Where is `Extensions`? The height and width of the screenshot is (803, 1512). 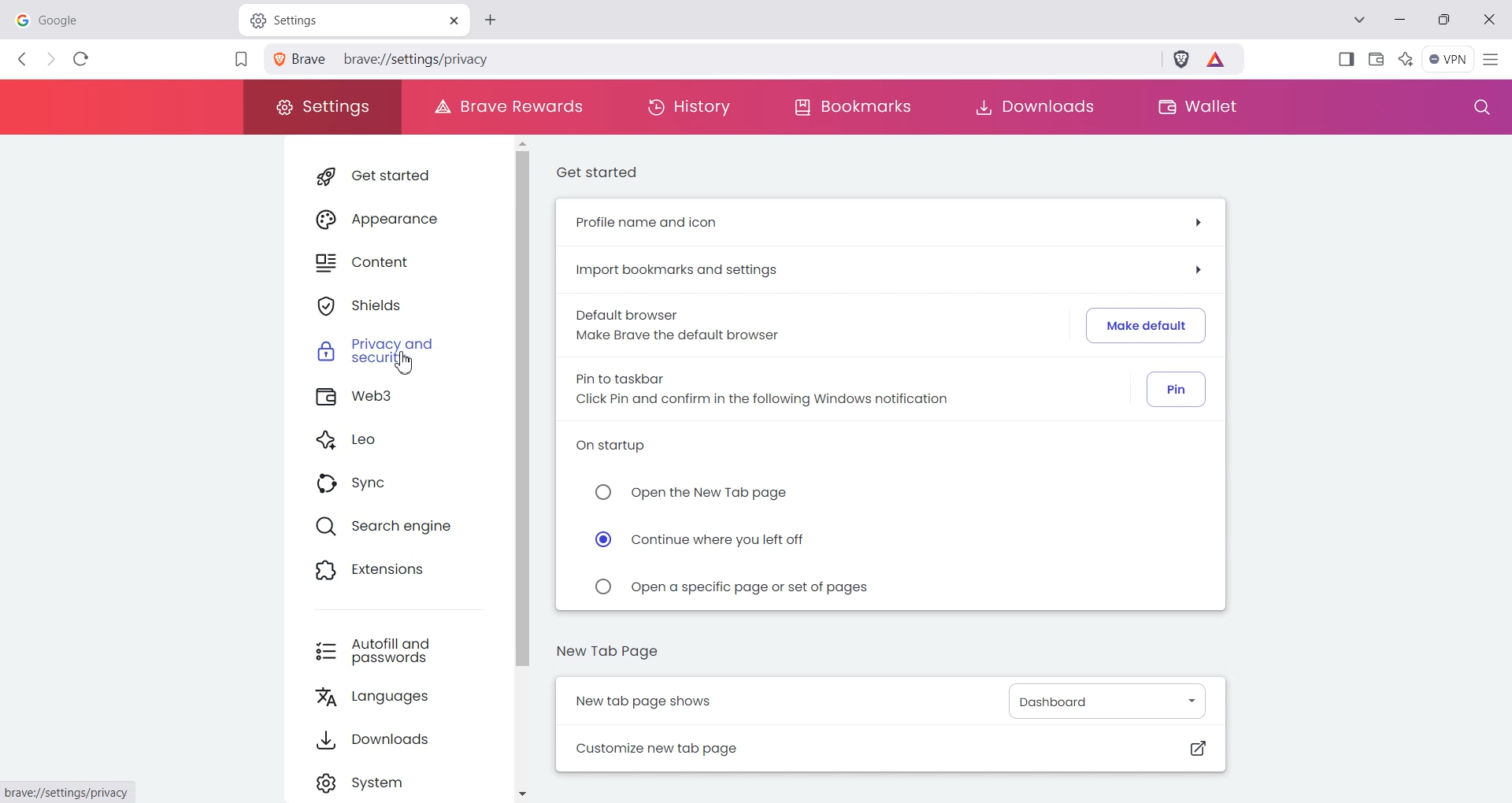
Extensions is located at coordinates (387, 572).